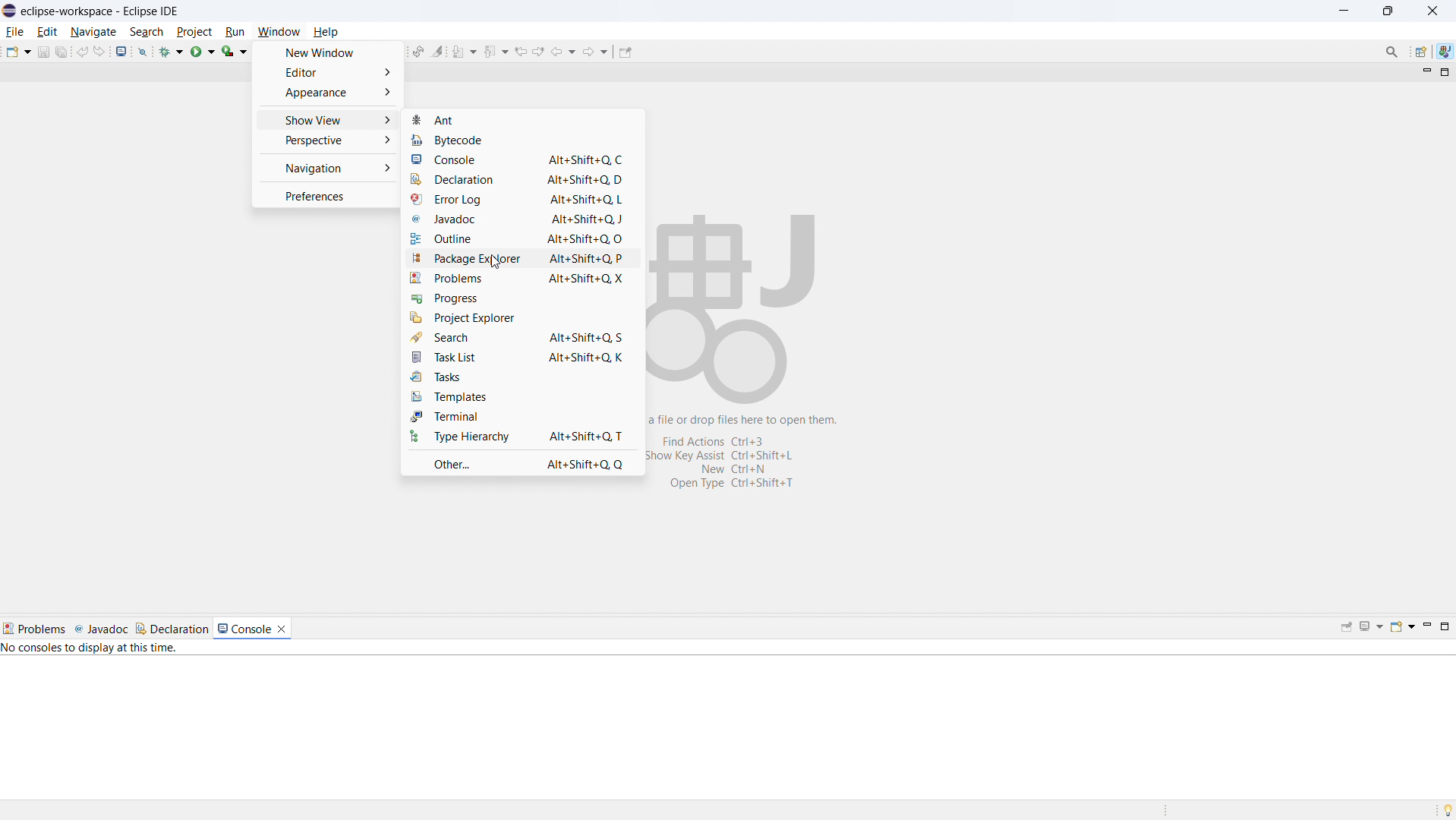 This screenshot has height=820, width=1456. Describe the element at coordinates (1420, 52) in the screenshot. I see `open perspective` at that location.